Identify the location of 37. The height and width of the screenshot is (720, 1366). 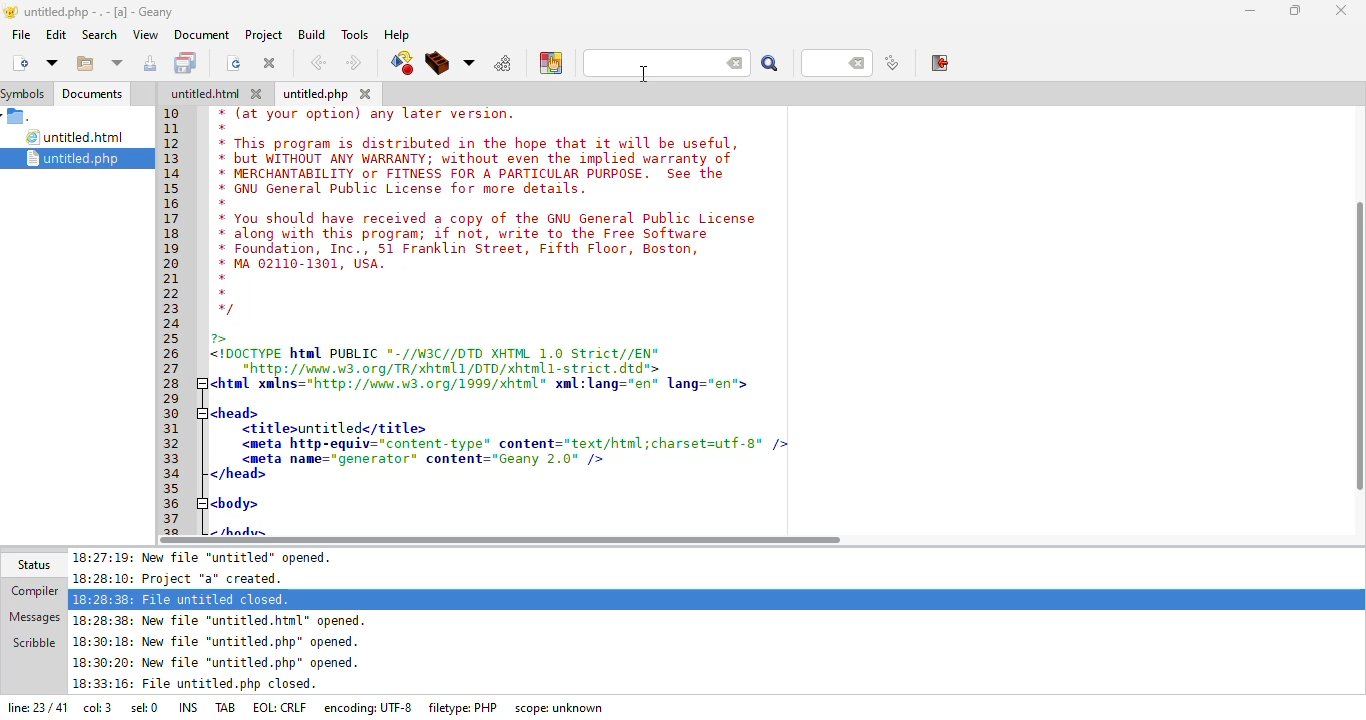
(174, 519).